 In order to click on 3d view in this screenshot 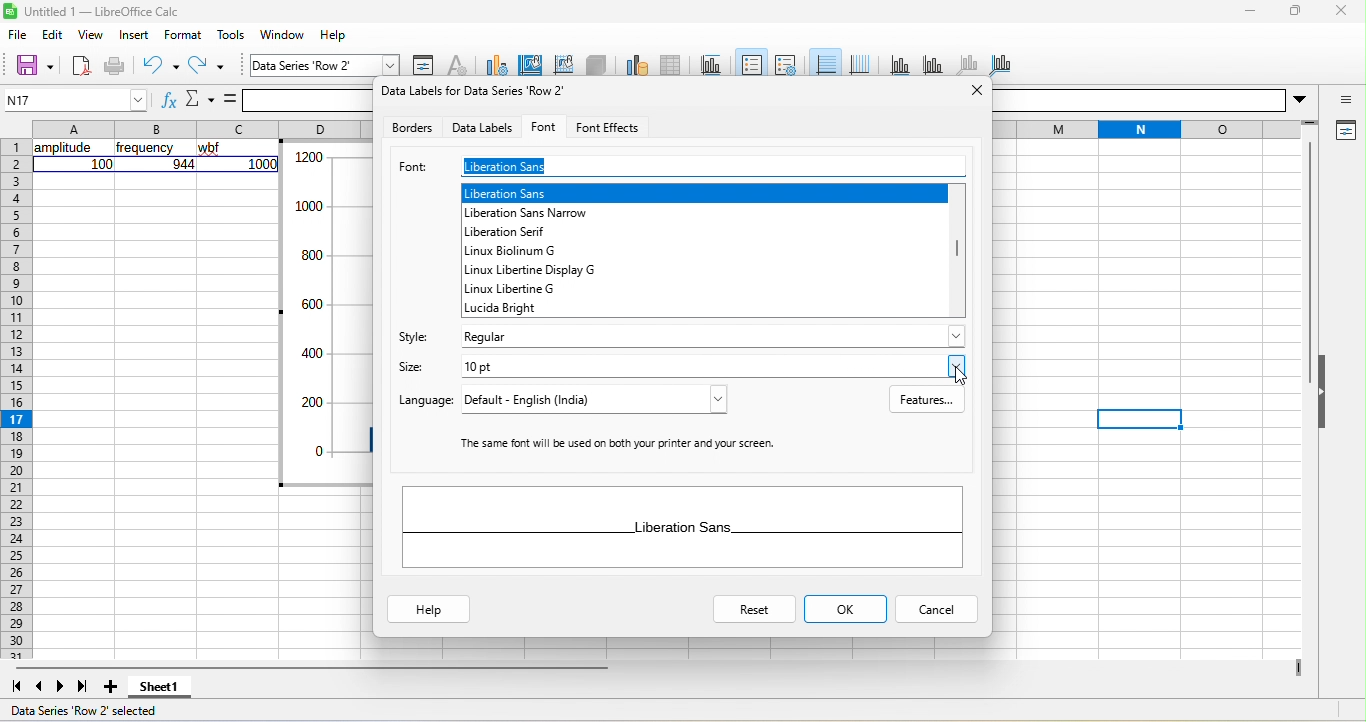, I will do `click(598, 65)`.